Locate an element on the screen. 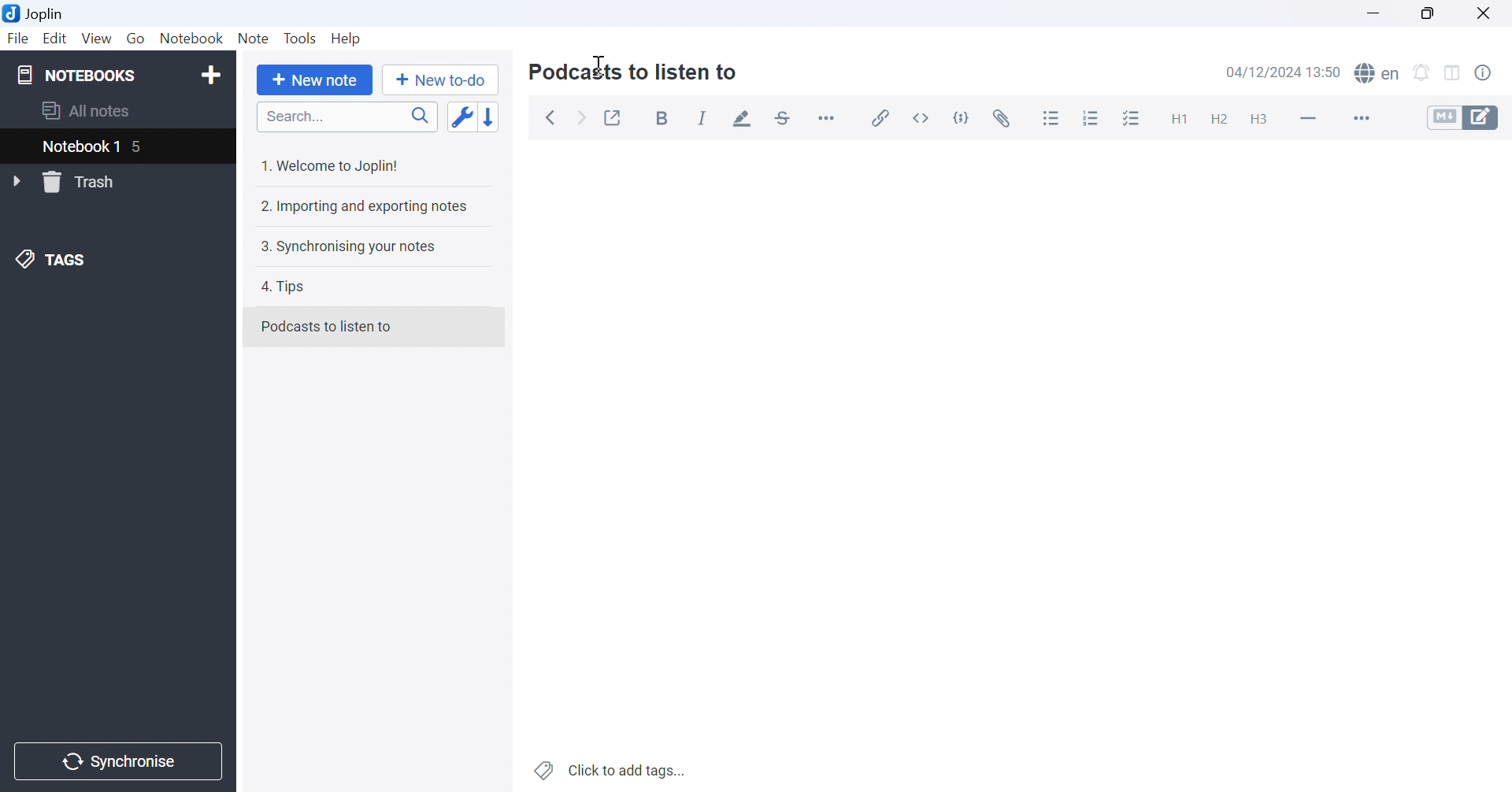 The width and height of the screenshot is (1512, 792). 04/12/2024 13:49 is located at coordinates (1284, 72).